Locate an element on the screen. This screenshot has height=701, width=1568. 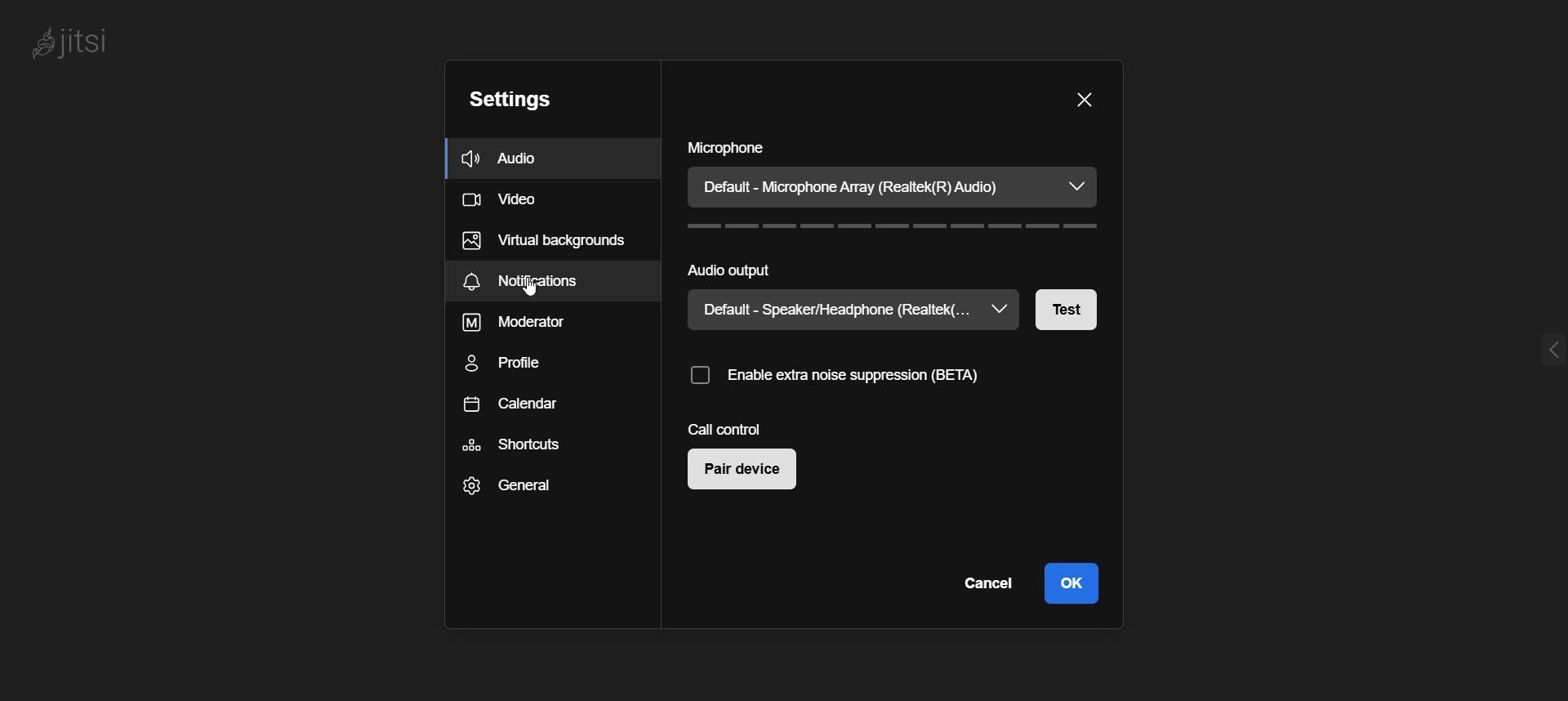
Test is located at coordinates (1067, 307).